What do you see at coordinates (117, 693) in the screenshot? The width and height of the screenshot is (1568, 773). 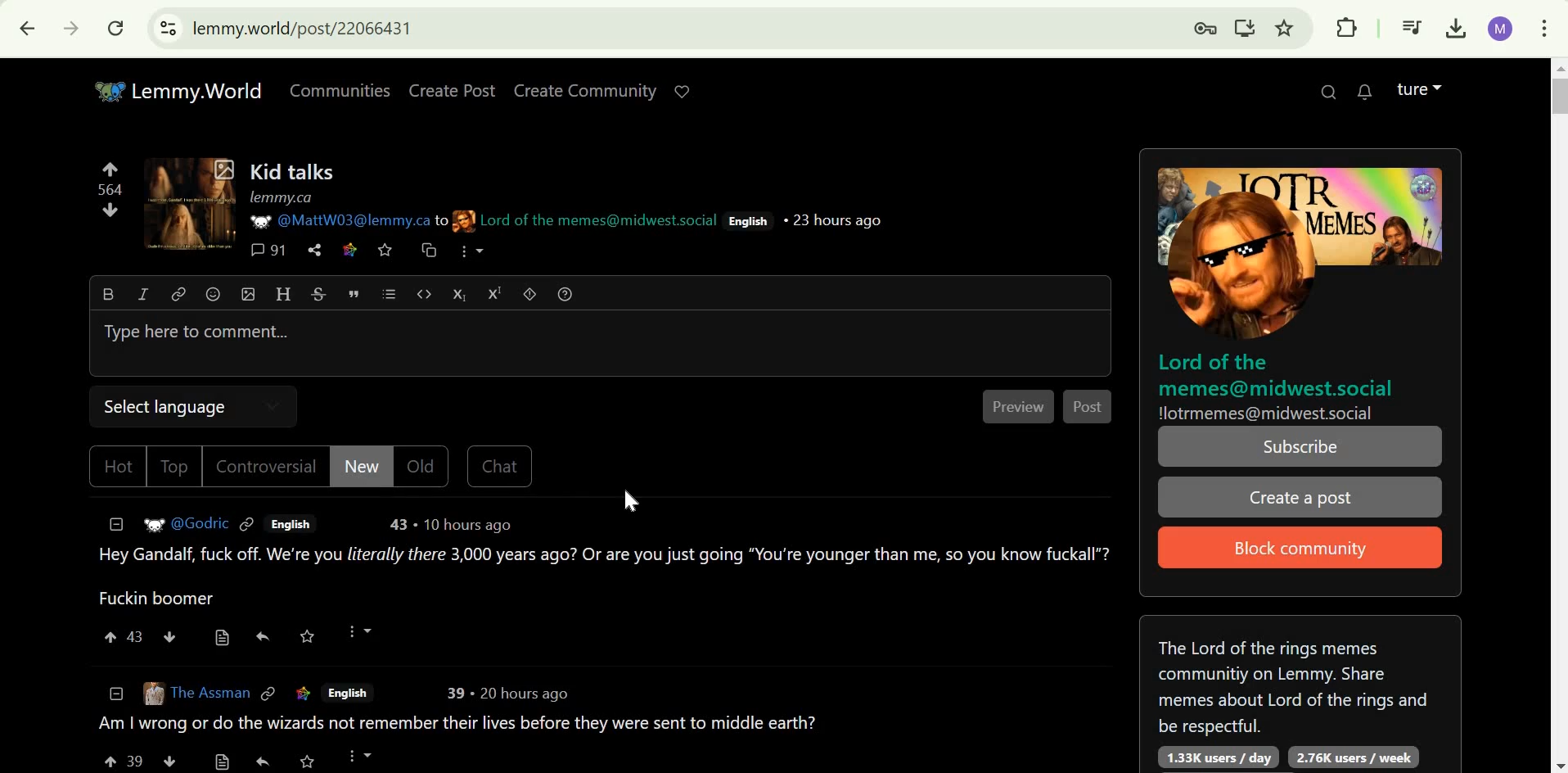 I see `collapse` at bounding box center [117, 693].